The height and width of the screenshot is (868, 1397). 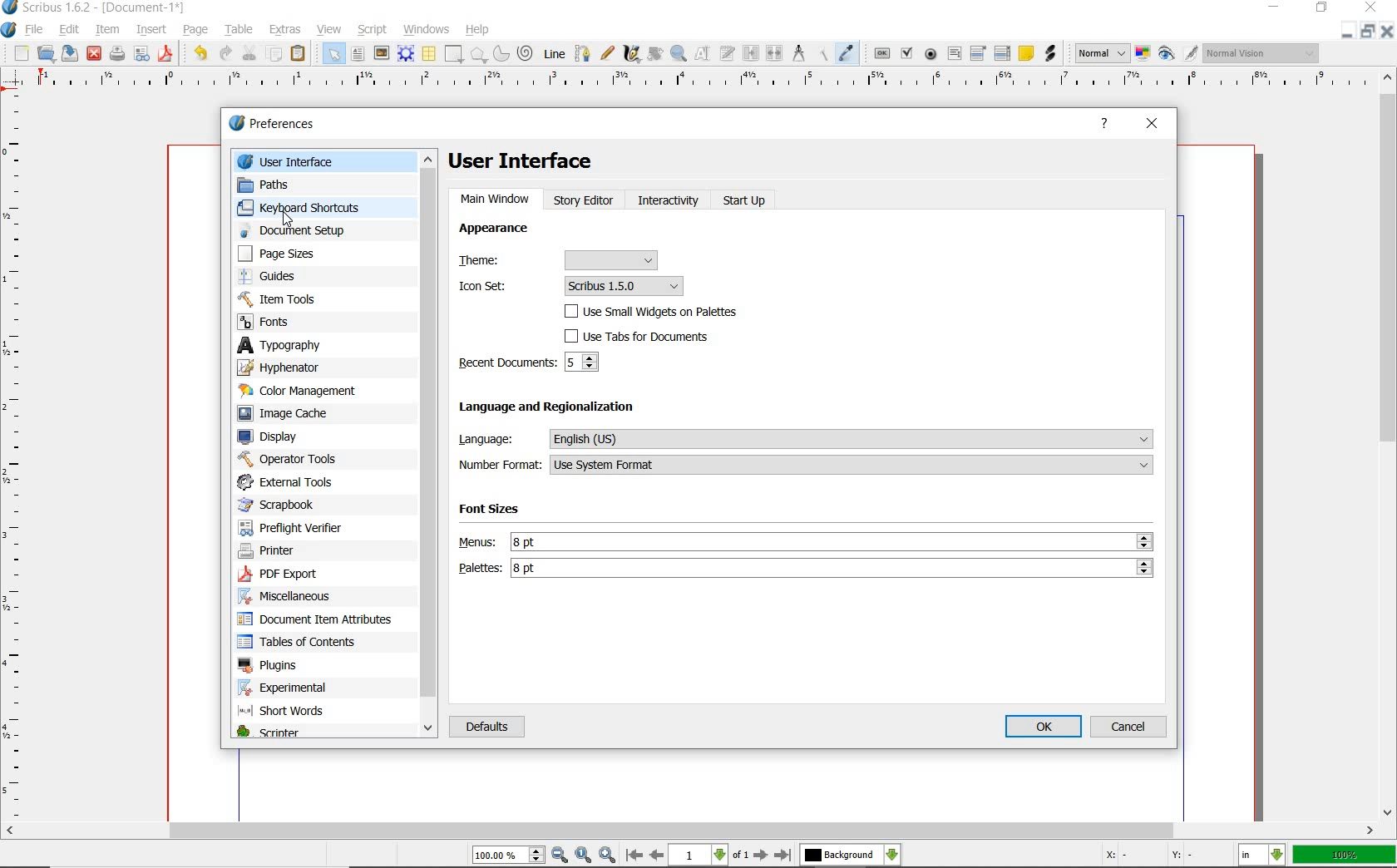 I want to click on keyboard shortcuts, so click(x=312, y=207).